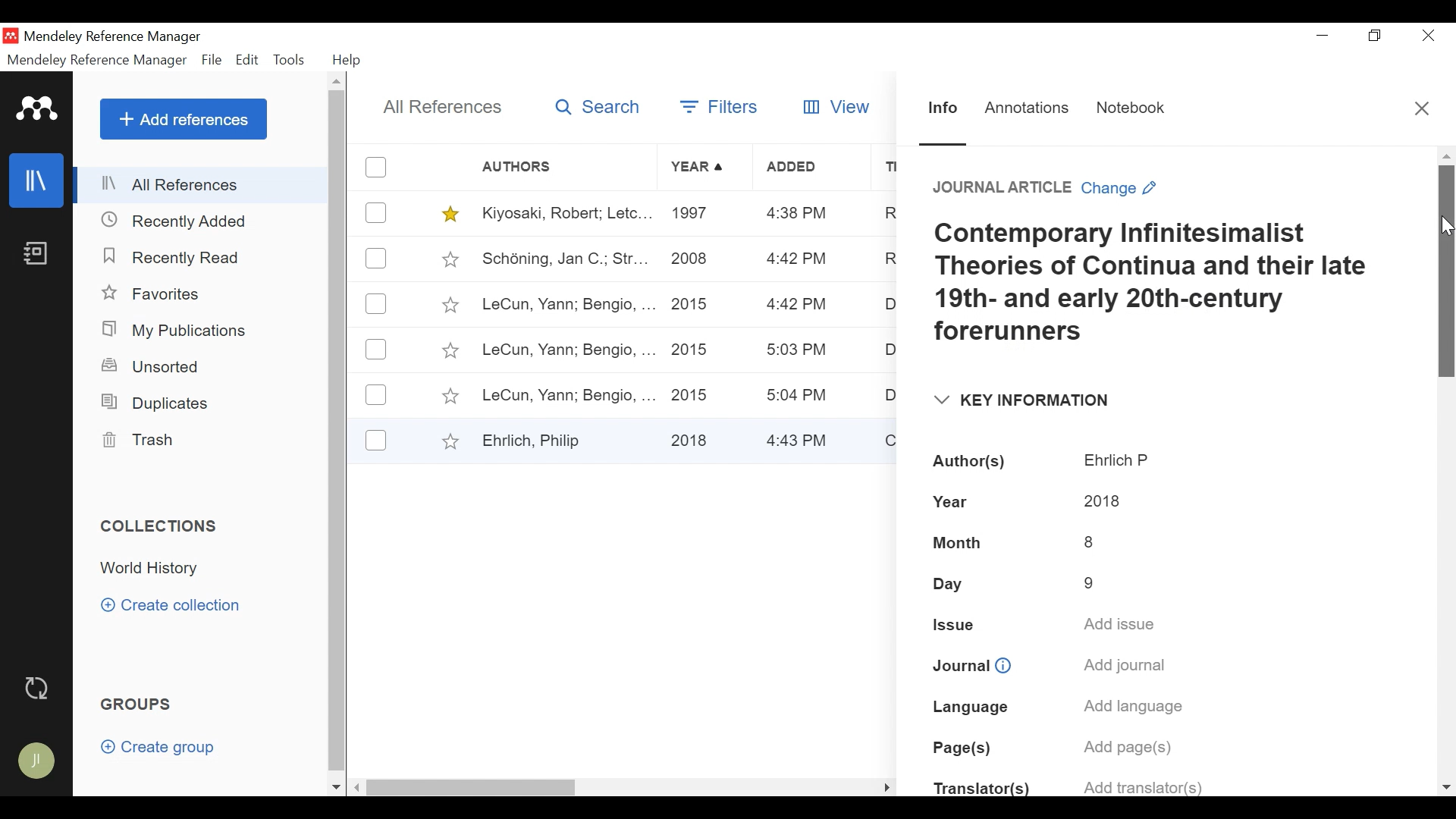 This screenshot has height=819, width=1456. I want to click on File, so click(213, 60).